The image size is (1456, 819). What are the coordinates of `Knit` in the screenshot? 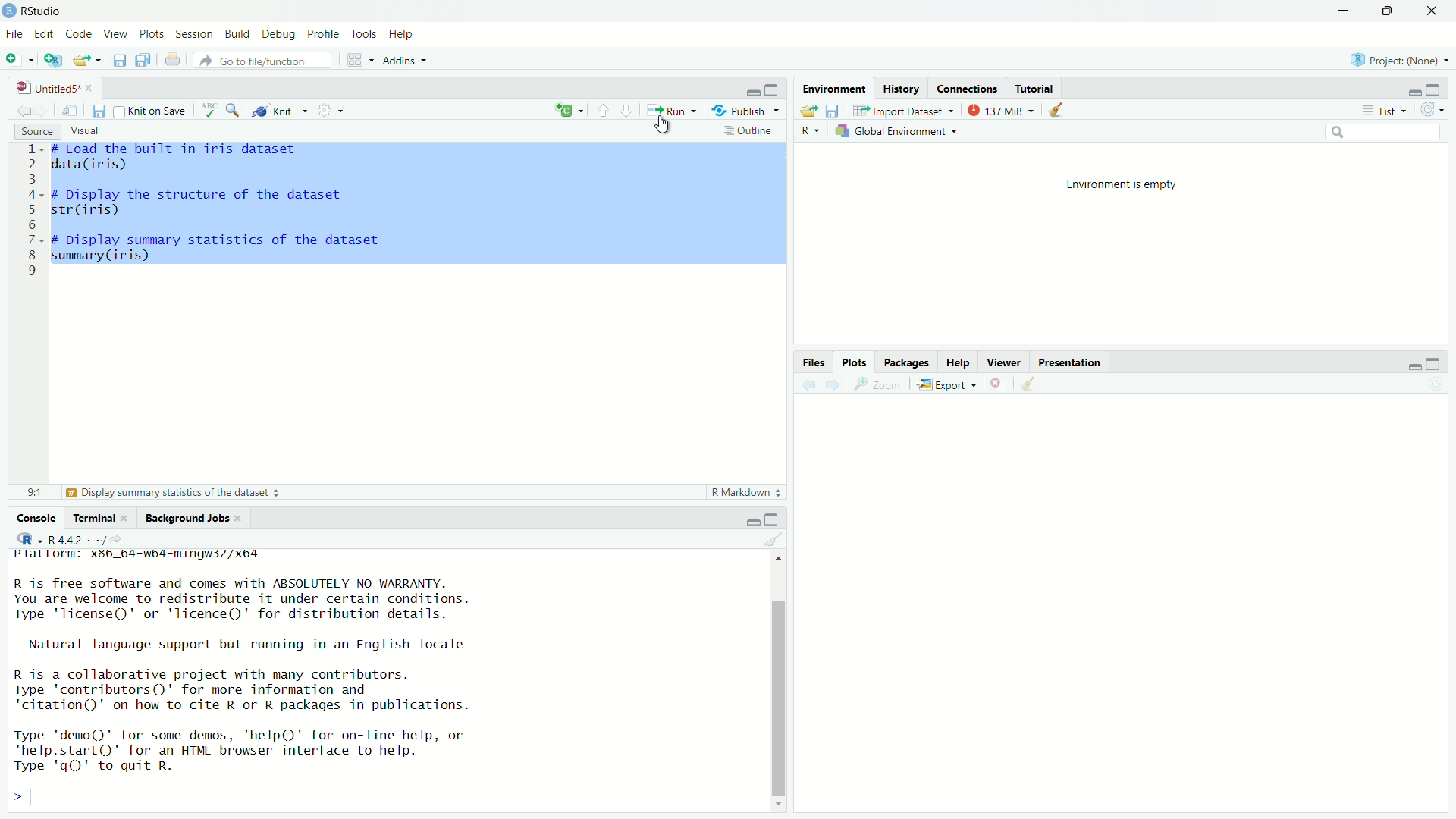 It's located at (279, 111).